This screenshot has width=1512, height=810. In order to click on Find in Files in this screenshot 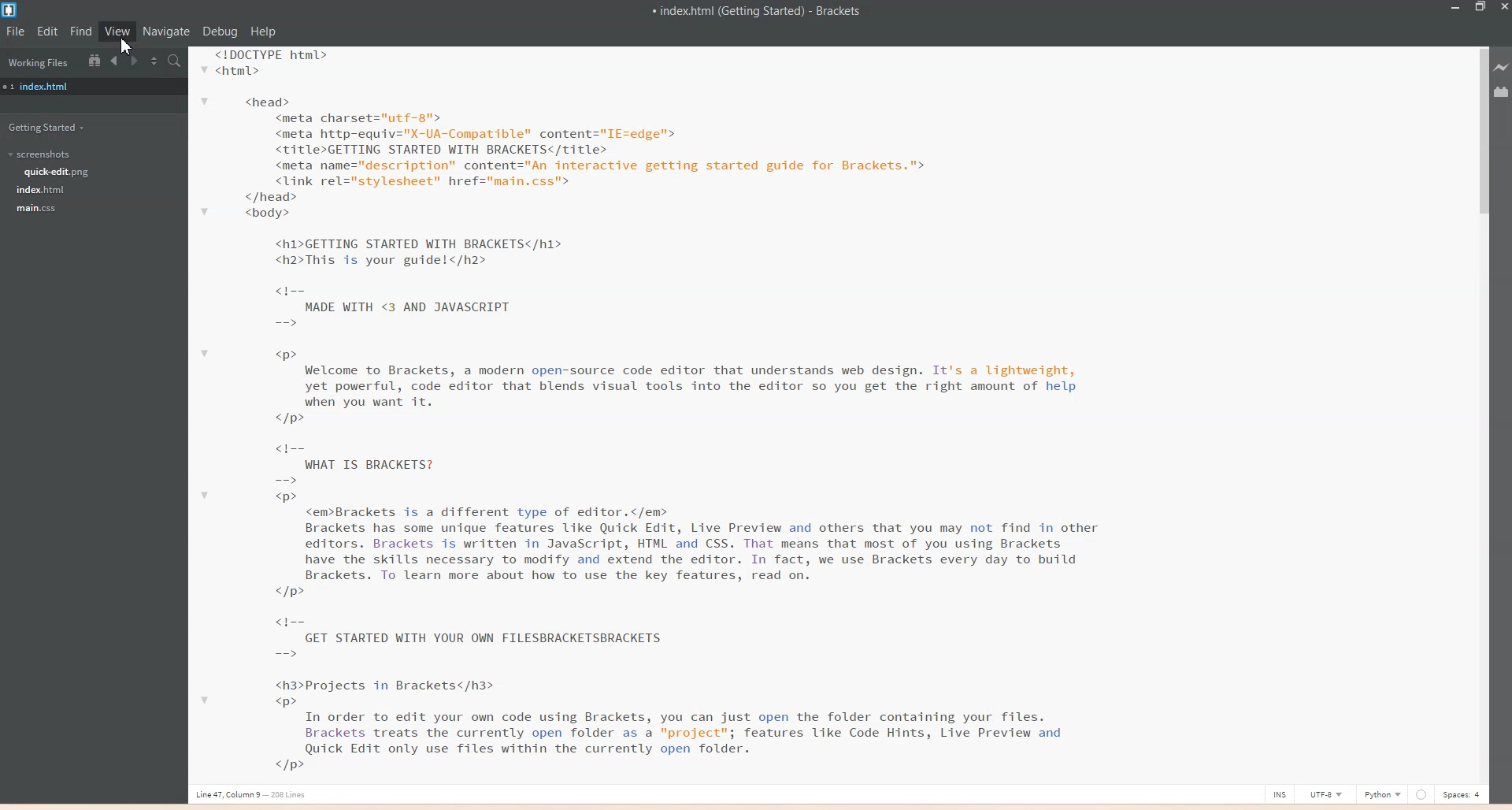, I will do `click(176, 61)`.